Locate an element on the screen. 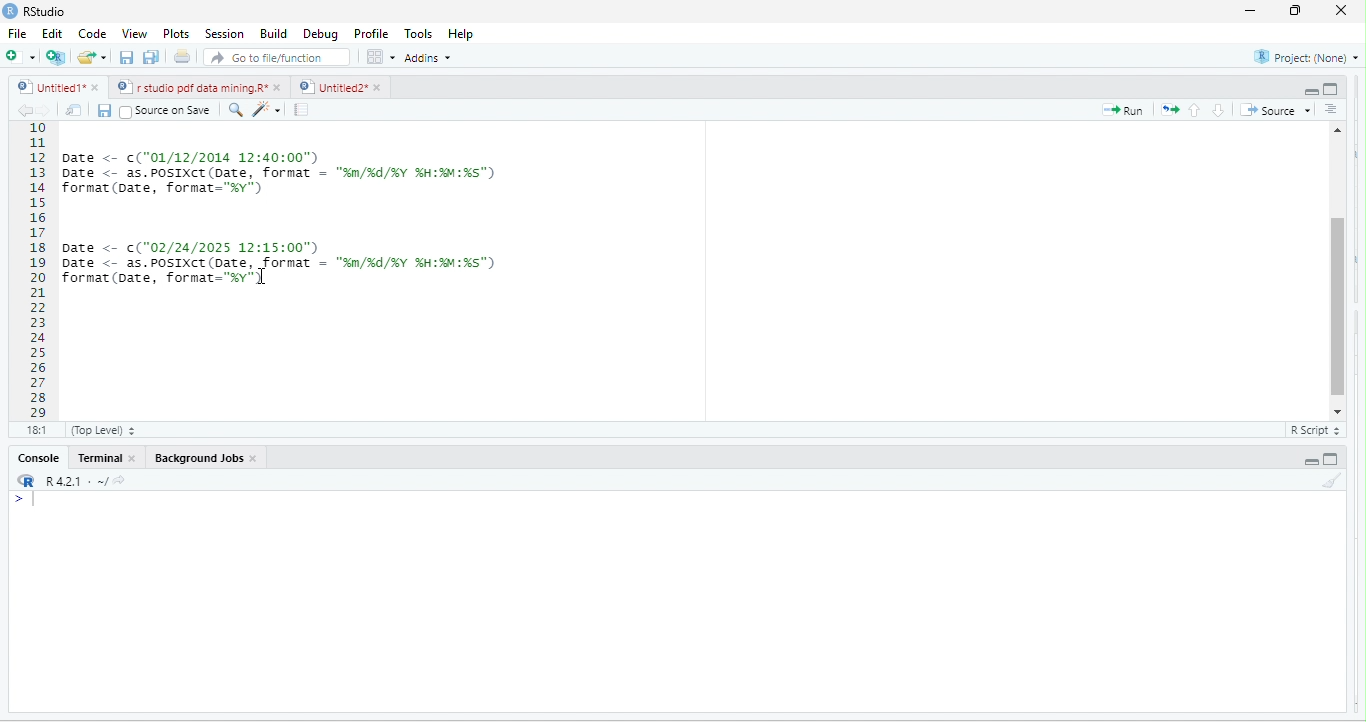 This screenshot has height=722, width=1366. 181 is located at coordinates (35, 431).